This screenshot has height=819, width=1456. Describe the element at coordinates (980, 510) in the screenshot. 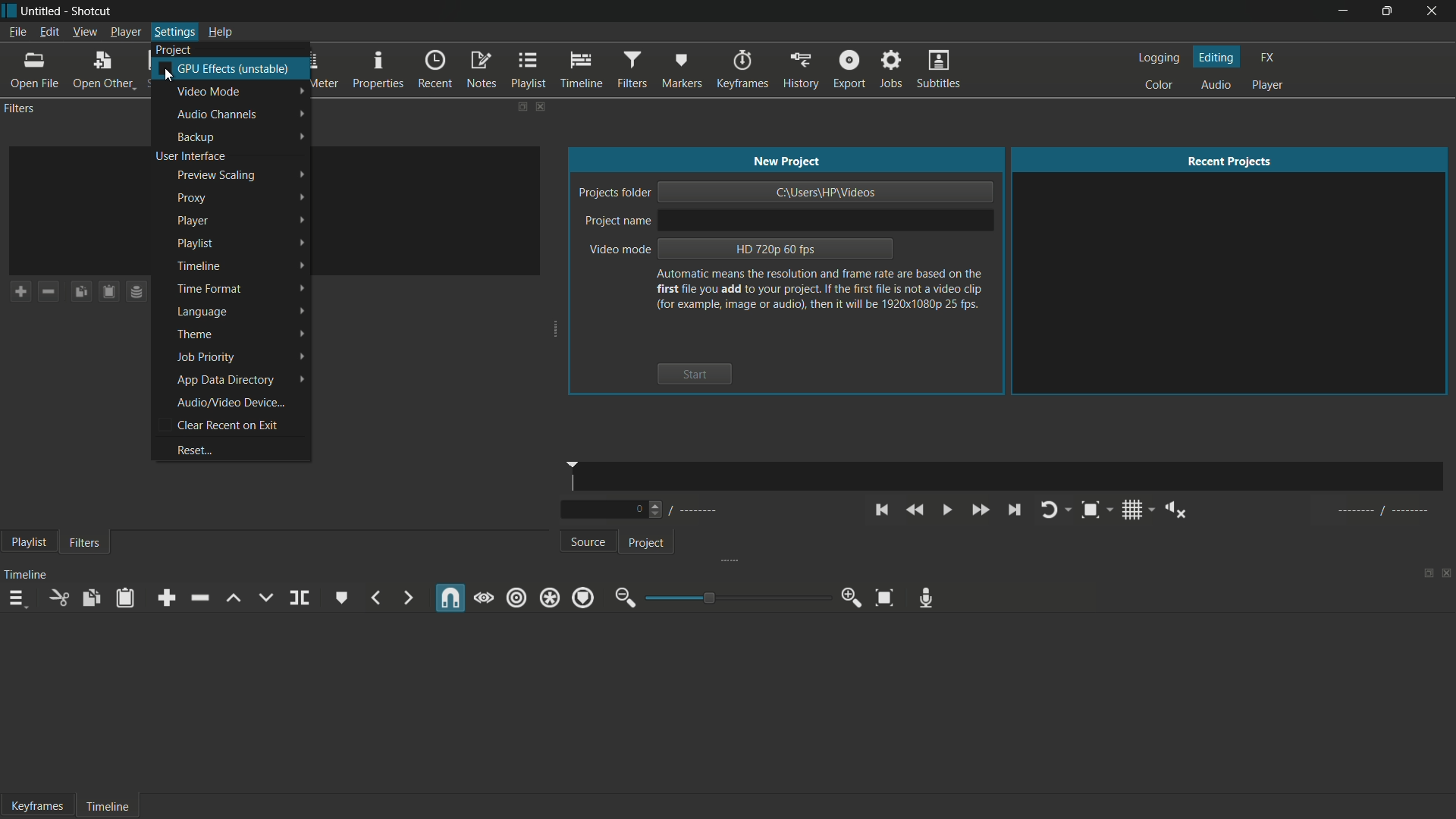

I see `quickly play forward` at that location.